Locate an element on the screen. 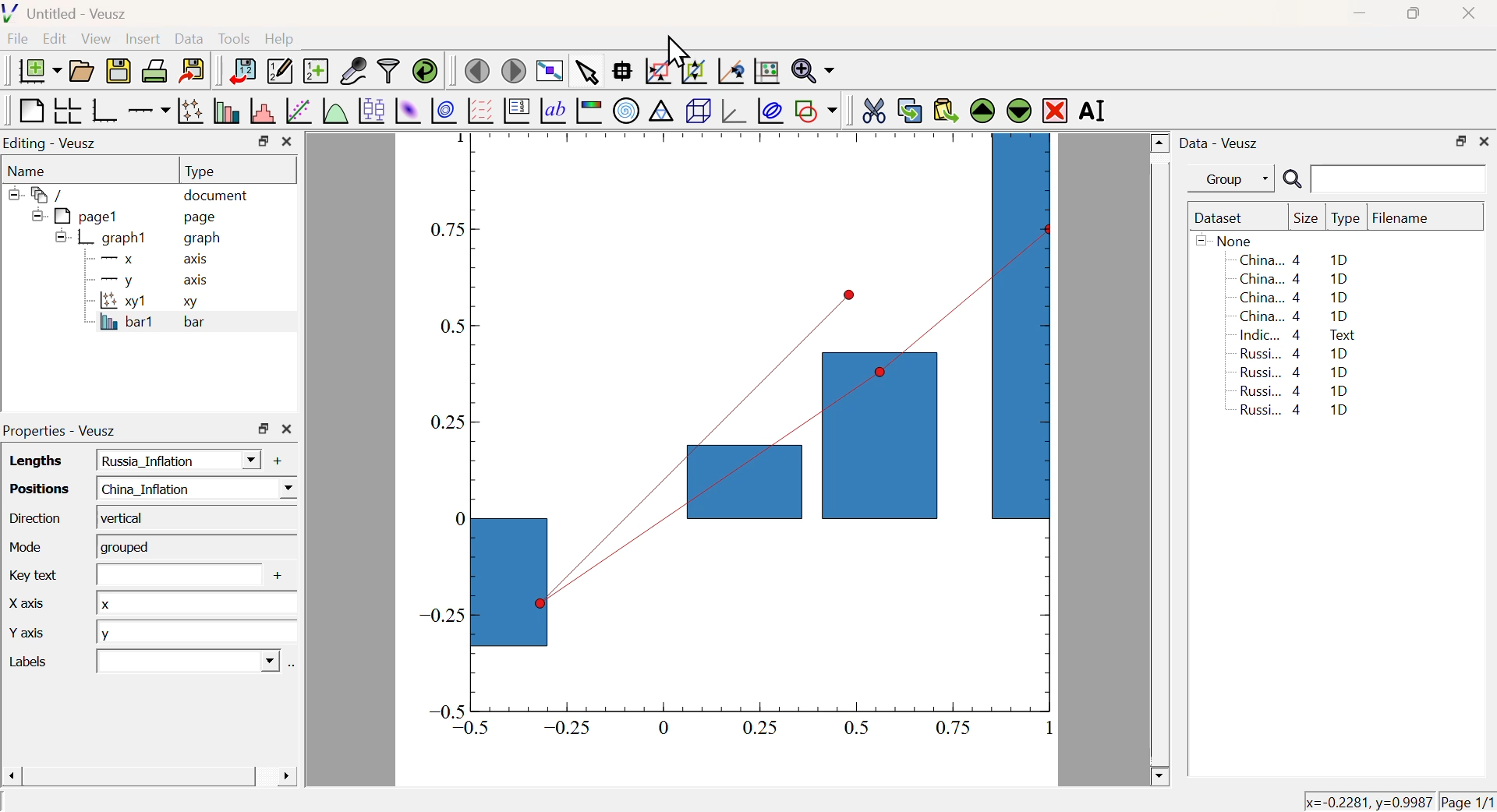 Image resolution: width=1497 pixels, height=812 pixels. Page 1/1 is located at coordinates (1466, 801).